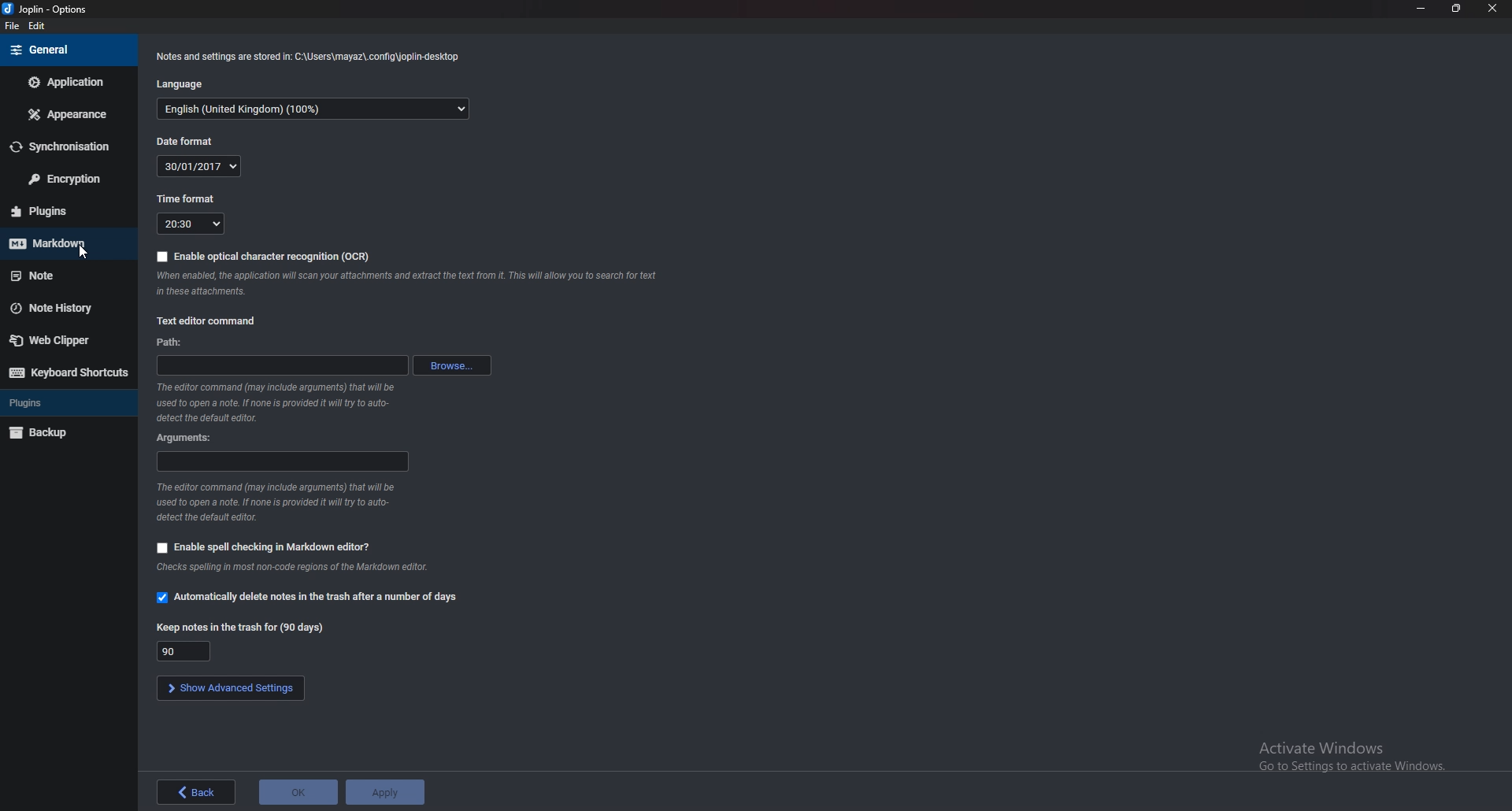  What do you see at coordinates (46, 9) in the screenshot?
I see `Joplin-Options` at bounding box center [46, 9].